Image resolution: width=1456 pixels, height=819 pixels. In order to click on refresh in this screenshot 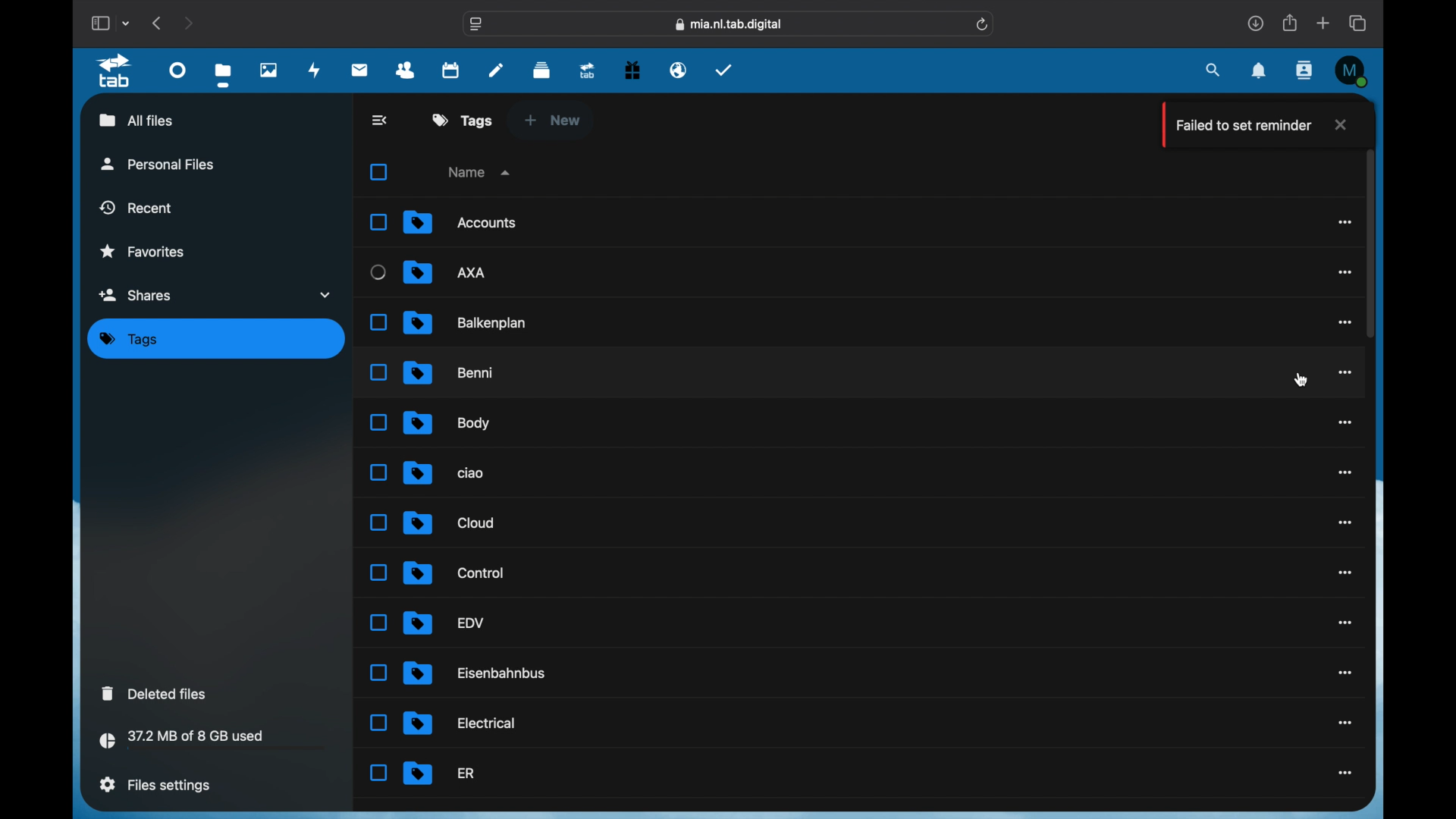, I will do `click(983, 24)`.